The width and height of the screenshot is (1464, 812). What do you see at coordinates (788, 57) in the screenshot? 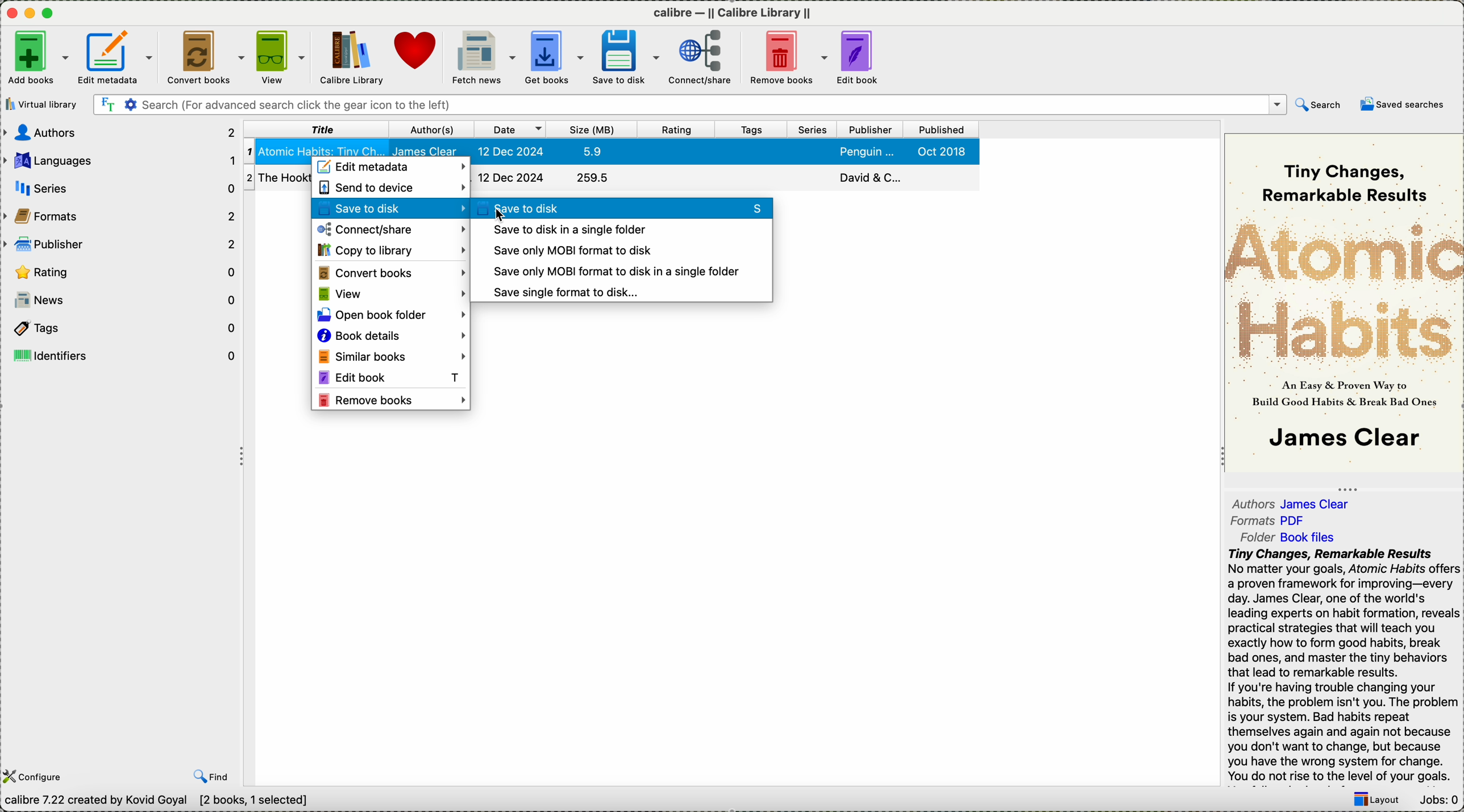
I see `remove books` at bounding box center [788, 57].